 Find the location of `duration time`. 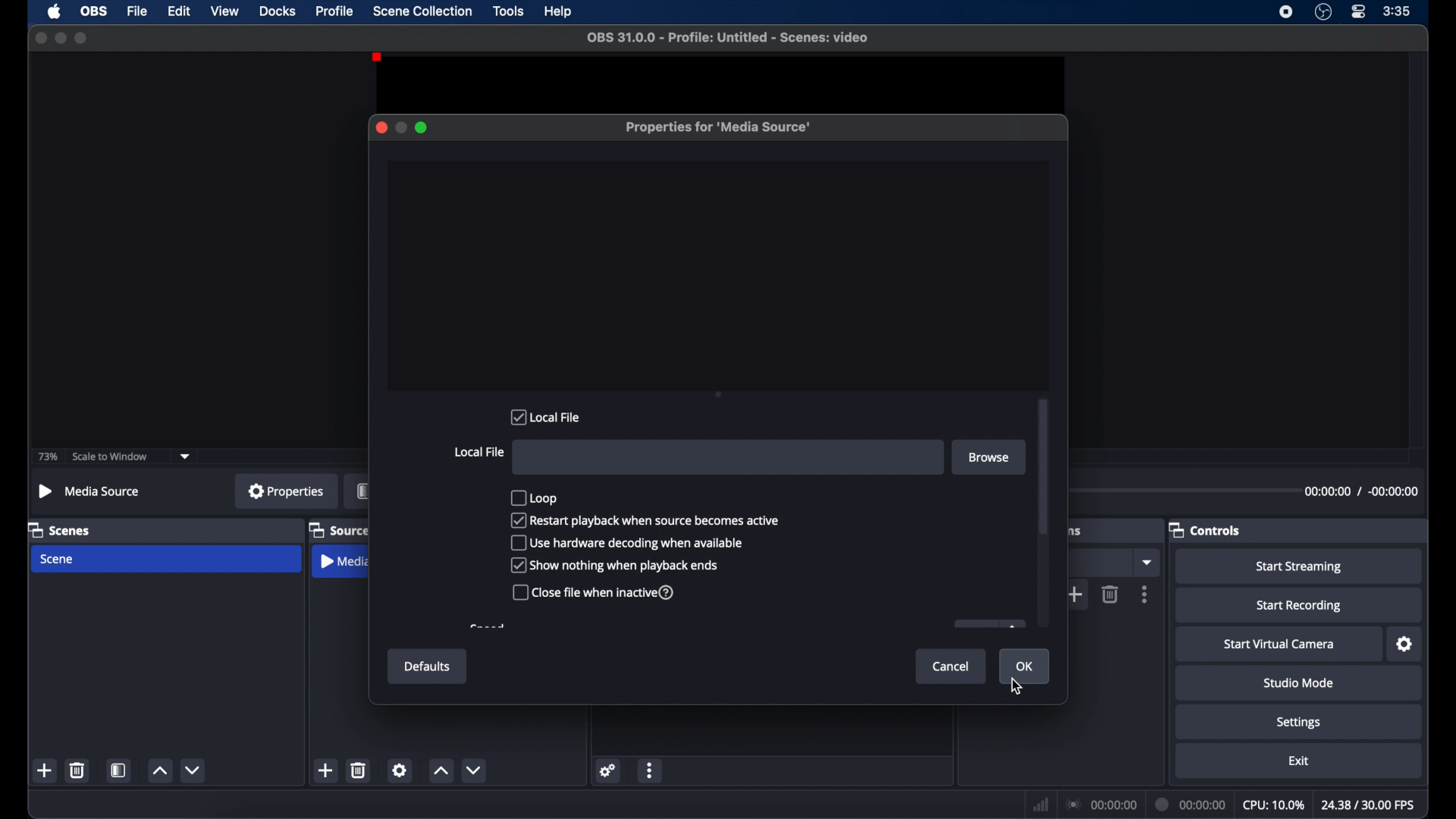

duration time is located at coordinates (1363, 490).